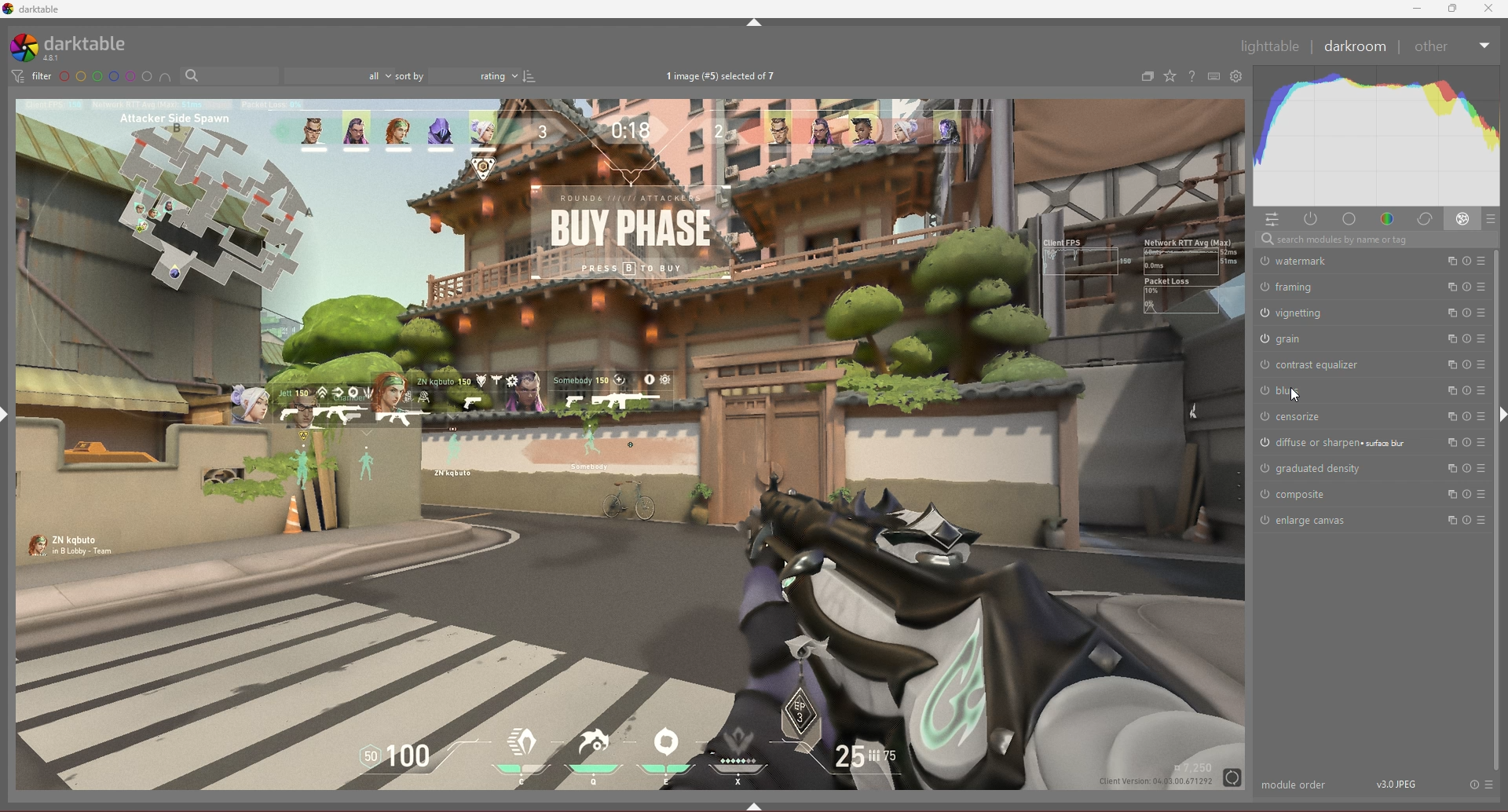  Describe the element at coordinates (1481, 416) in the screenshot. I see `presets` at that location.